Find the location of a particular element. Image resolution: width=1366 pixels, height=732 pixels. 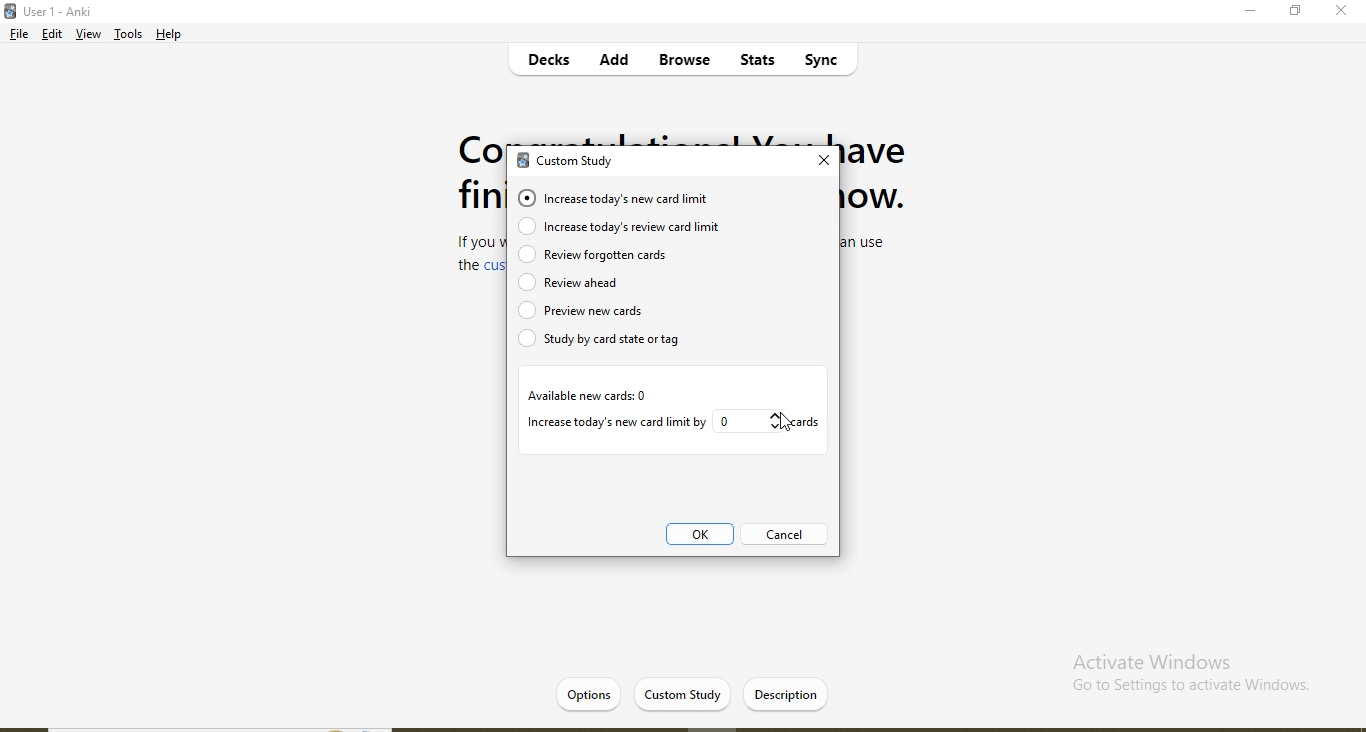

increase today's review card limit is located at coordinates (637, 228).